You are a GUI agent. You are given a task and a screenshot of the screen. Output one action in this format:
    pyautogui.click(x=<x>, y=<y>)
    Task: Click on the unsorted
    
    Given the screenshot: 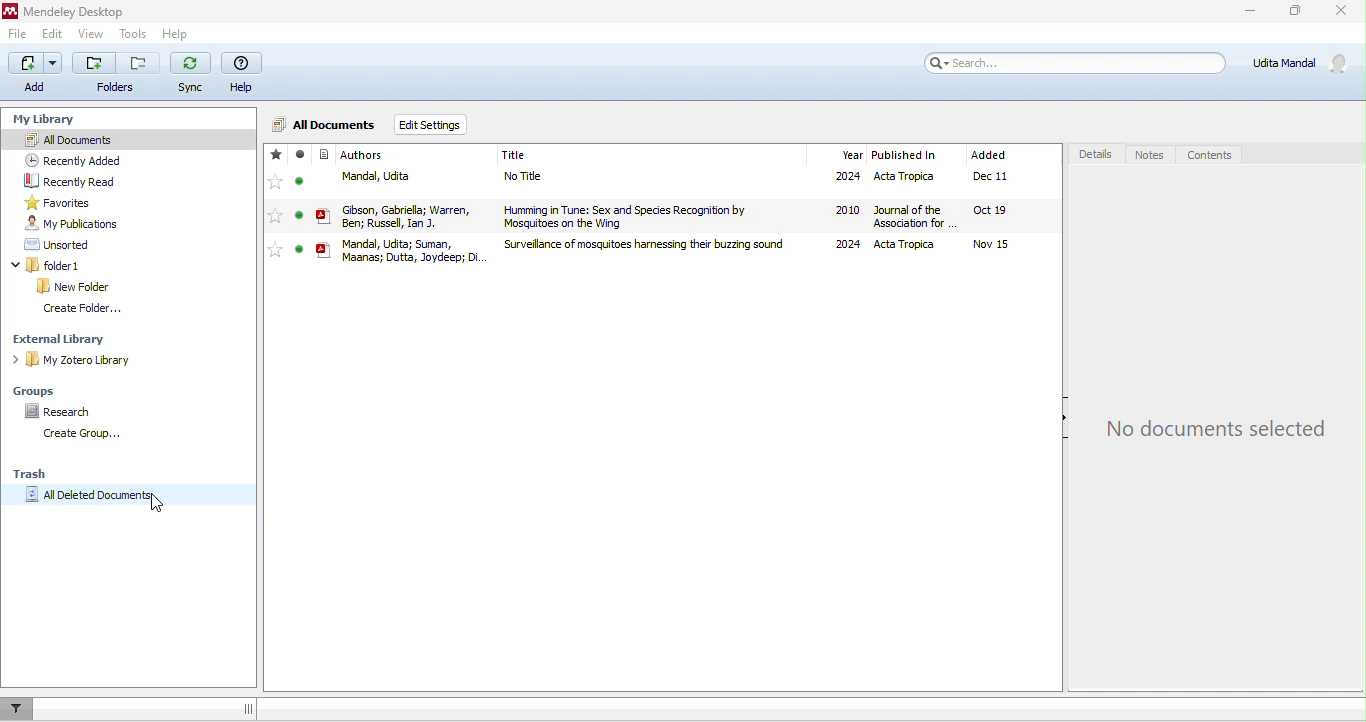 What is the action you would take?
    pyautogui.click(x=52, y=244)
    